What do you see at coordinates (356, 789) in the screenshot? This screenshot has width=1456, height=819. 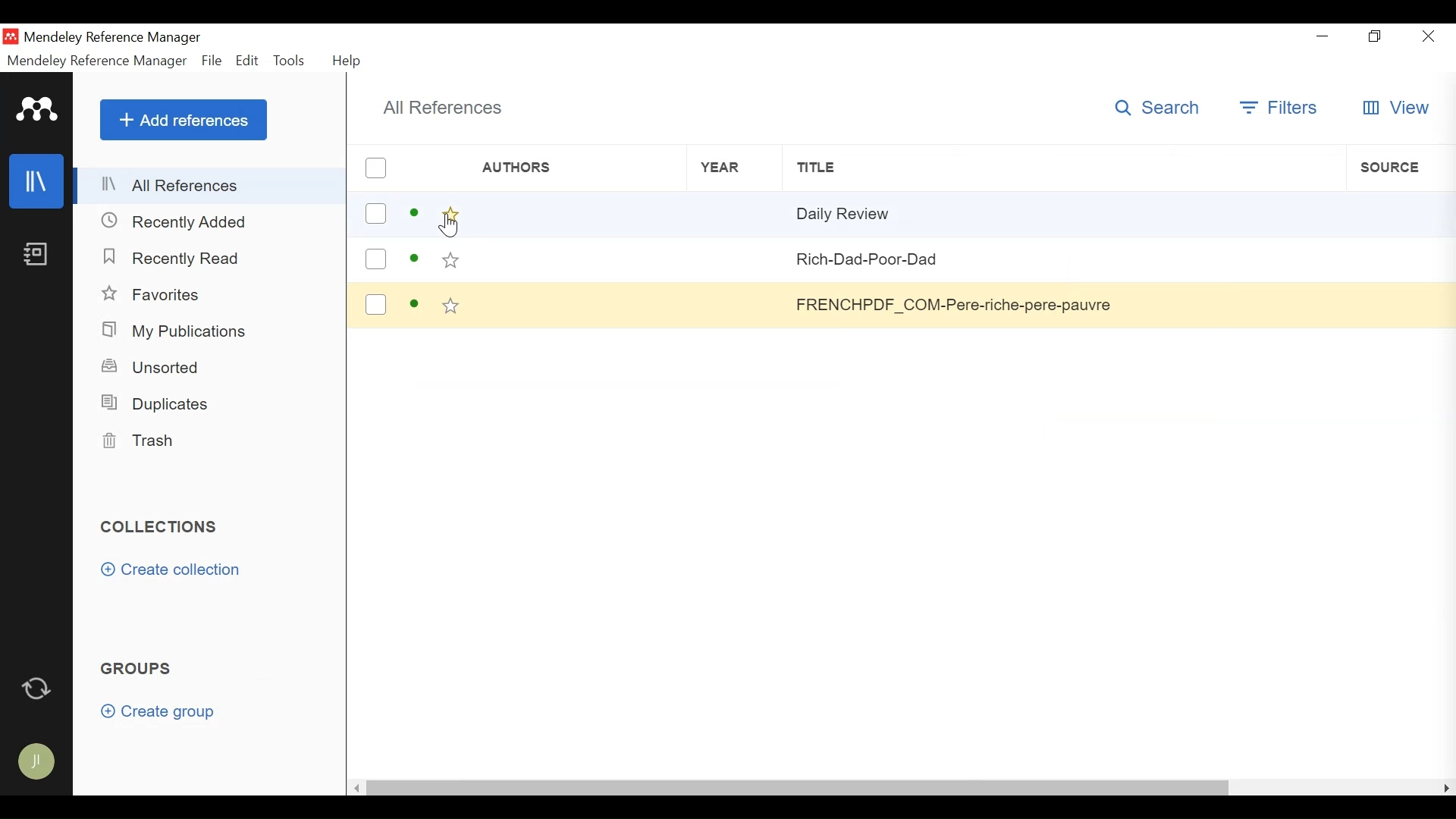 I see `Scroll Left` at bounding box center [356, 789].